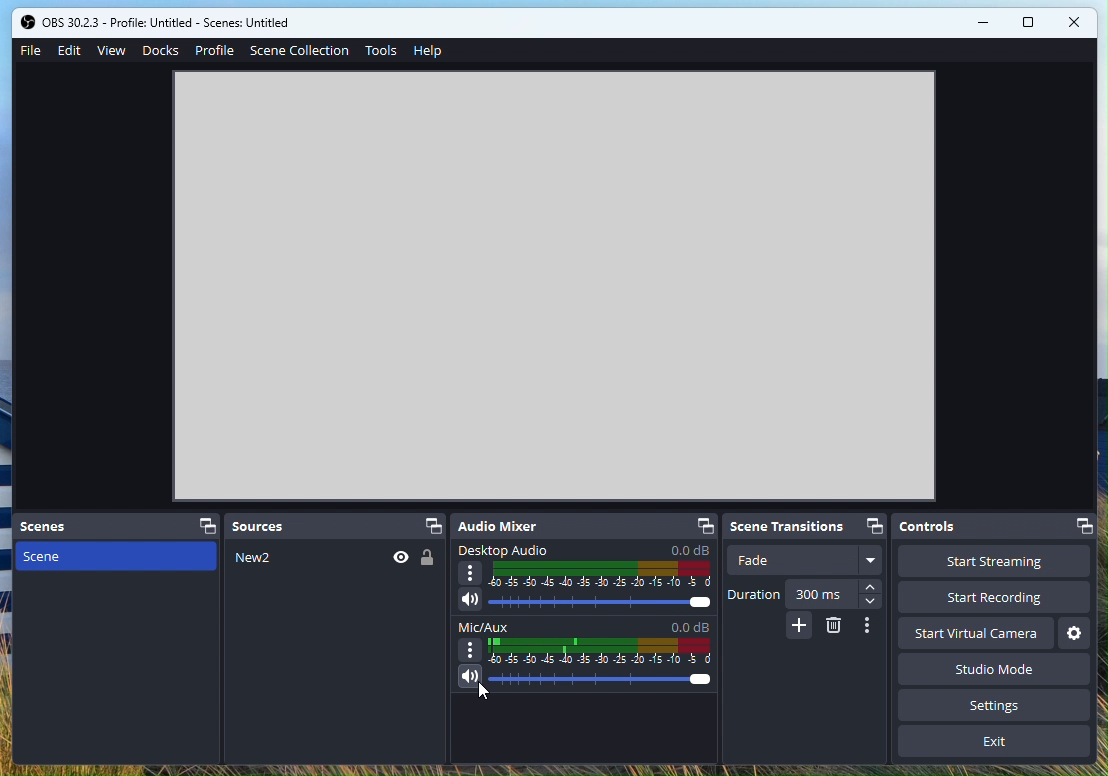 The image size is (1108, 776). I want to click on More, so click(798, 625).